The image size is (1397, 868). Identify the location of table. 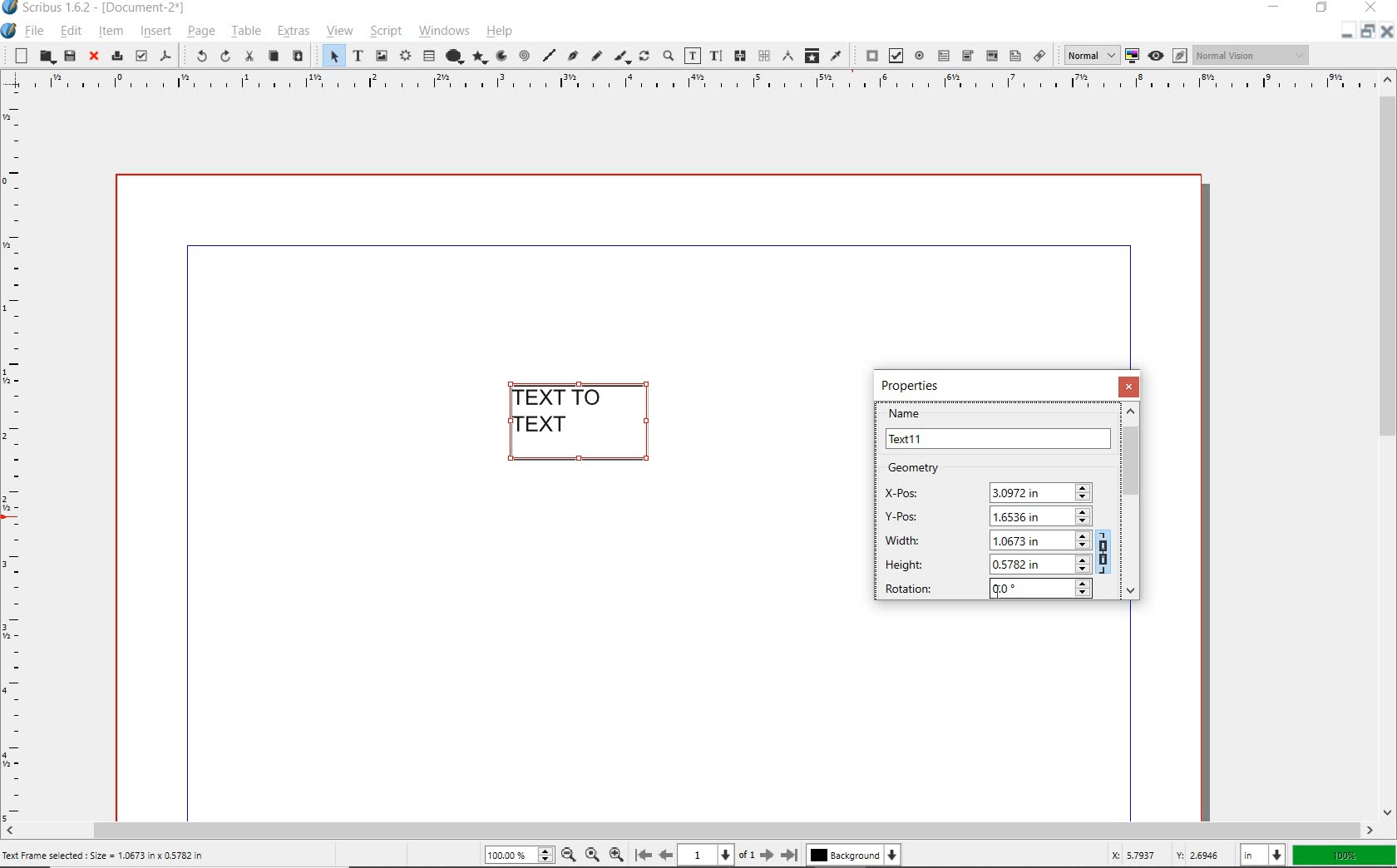
(244, 31).